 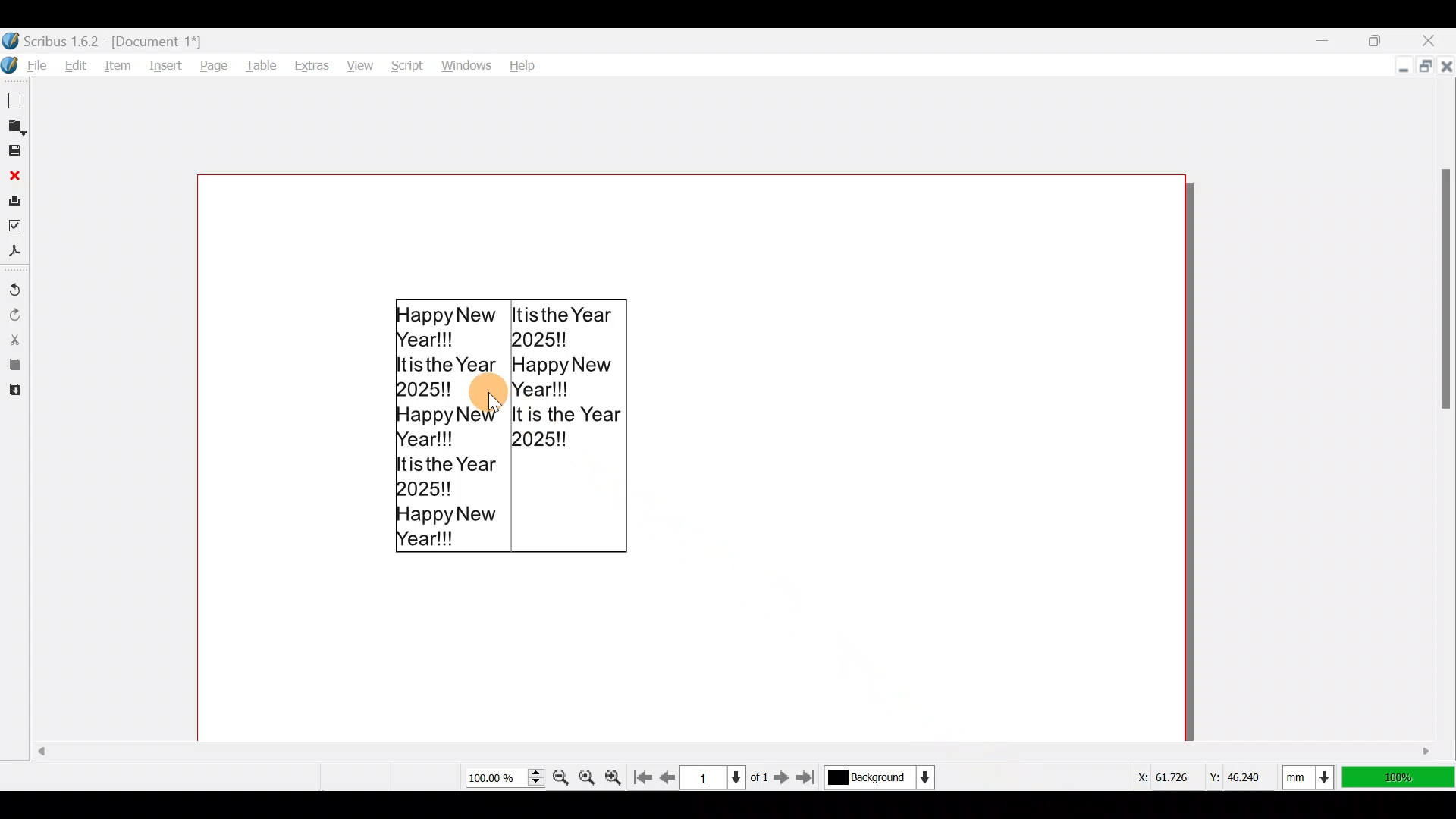 I want to click on Select current units, so click(x=1312, y=774).